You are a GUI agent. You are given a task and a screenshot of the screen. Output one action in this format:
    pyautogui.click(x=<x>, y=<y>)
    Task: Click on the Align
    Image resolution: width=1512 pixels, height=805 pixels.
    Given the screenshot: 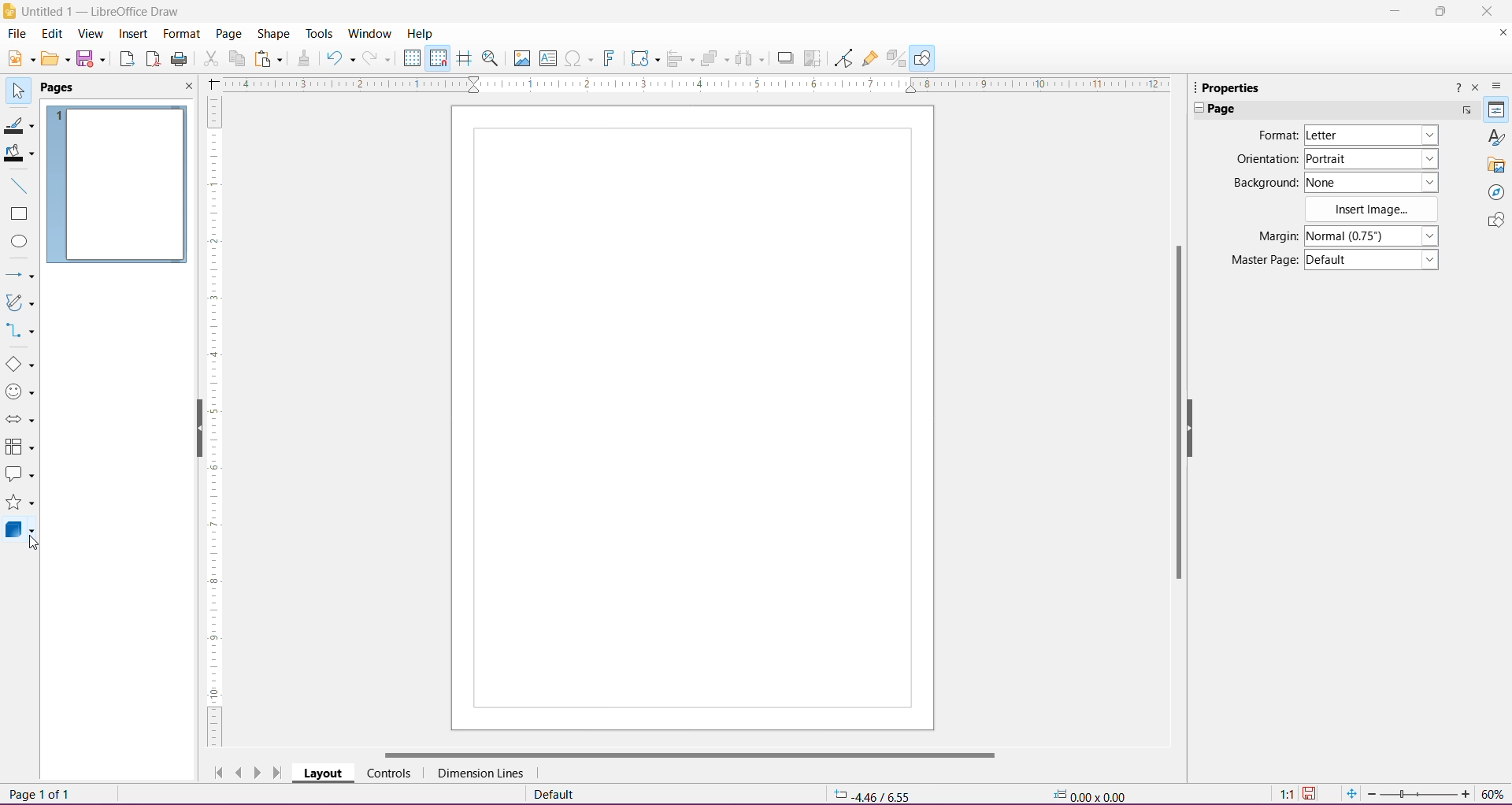 What is the action you would take?
    pyautogui.click(x=681, y=60)
    